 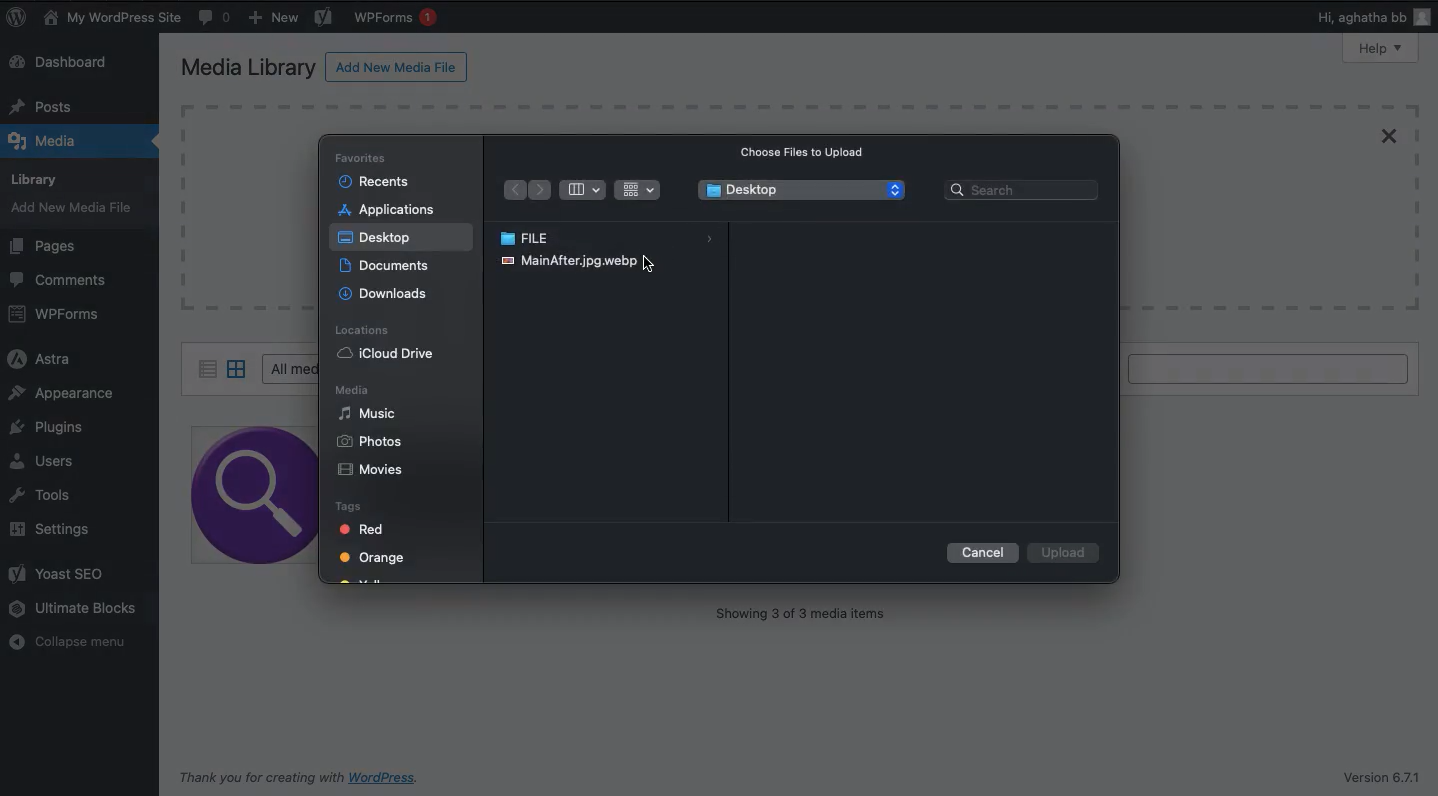 What do you see at coordinates (386, 354) in the screenshot?
I see `iCloud drive ` at bounding box center [386, 354].